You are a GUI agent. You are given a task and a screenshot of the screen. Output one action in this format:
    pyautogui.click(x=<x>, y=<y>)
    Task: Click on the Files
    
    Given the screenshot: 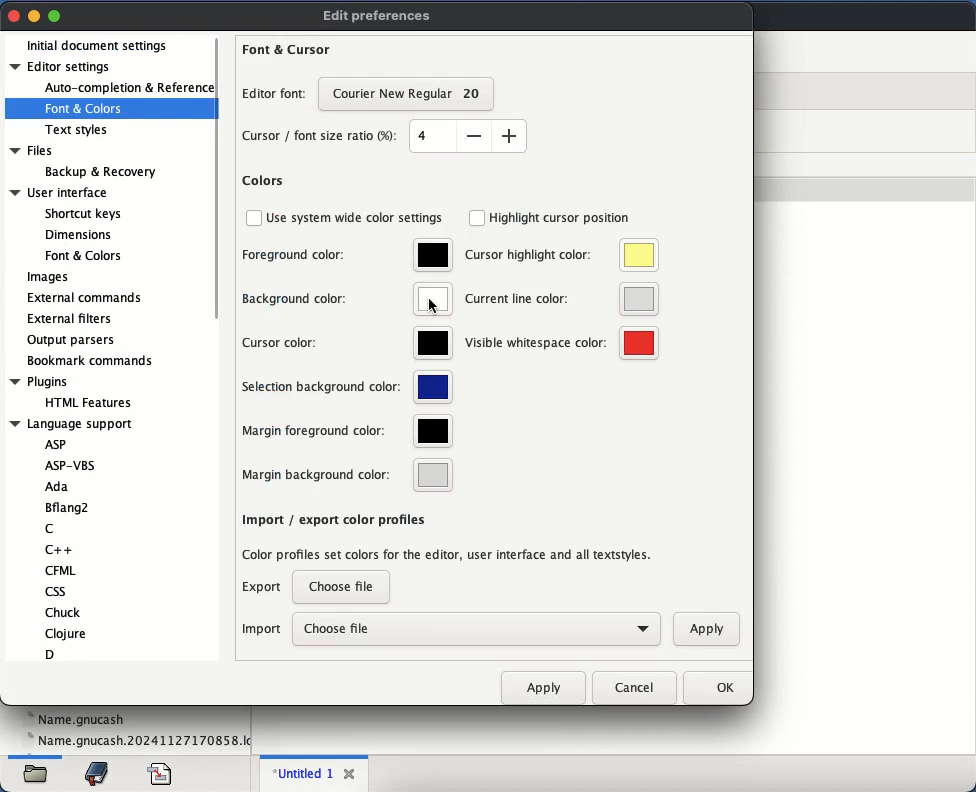 What is the action you would take?
    pyautogui.click(x=33, y=149)
    